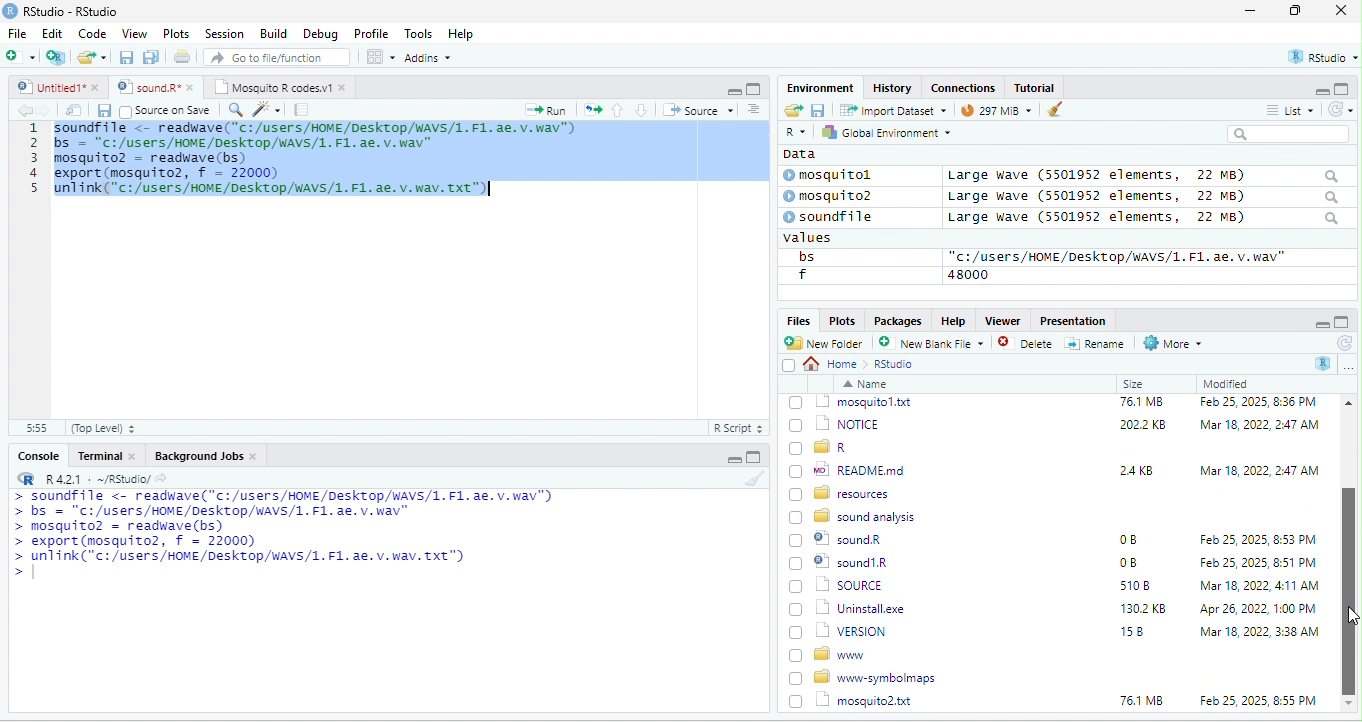 This screenshot has width=1362, height=722. I want to click on Help, so click(953, 319).